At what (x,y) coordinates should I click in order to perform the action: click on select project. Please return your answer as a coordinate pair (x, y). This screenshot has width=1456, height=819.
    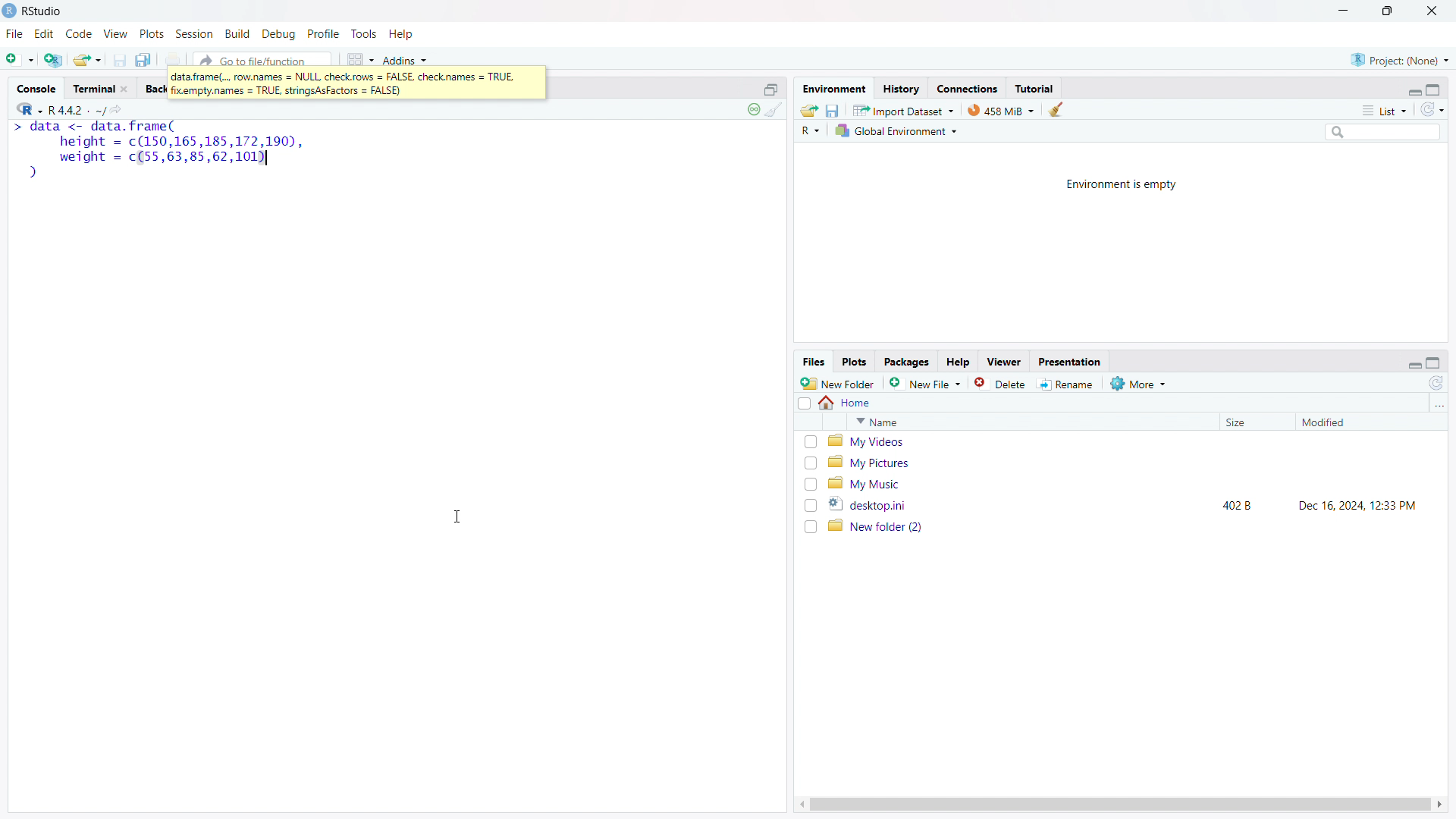
    Looking at the image, I should click on (1400, 60).